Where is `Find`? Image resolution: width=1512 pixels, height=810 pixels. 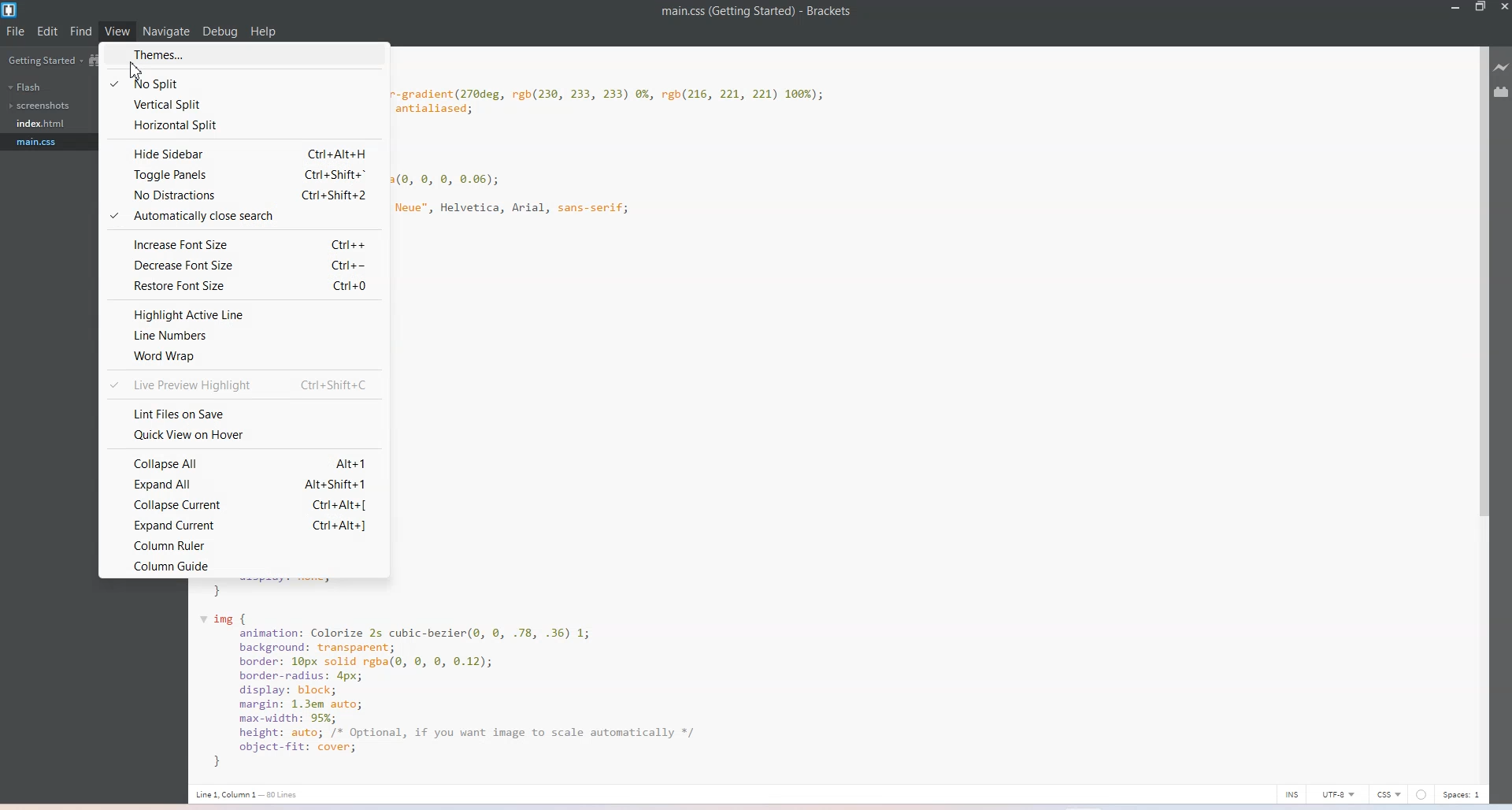 Find is located at coordinates (81, 31).